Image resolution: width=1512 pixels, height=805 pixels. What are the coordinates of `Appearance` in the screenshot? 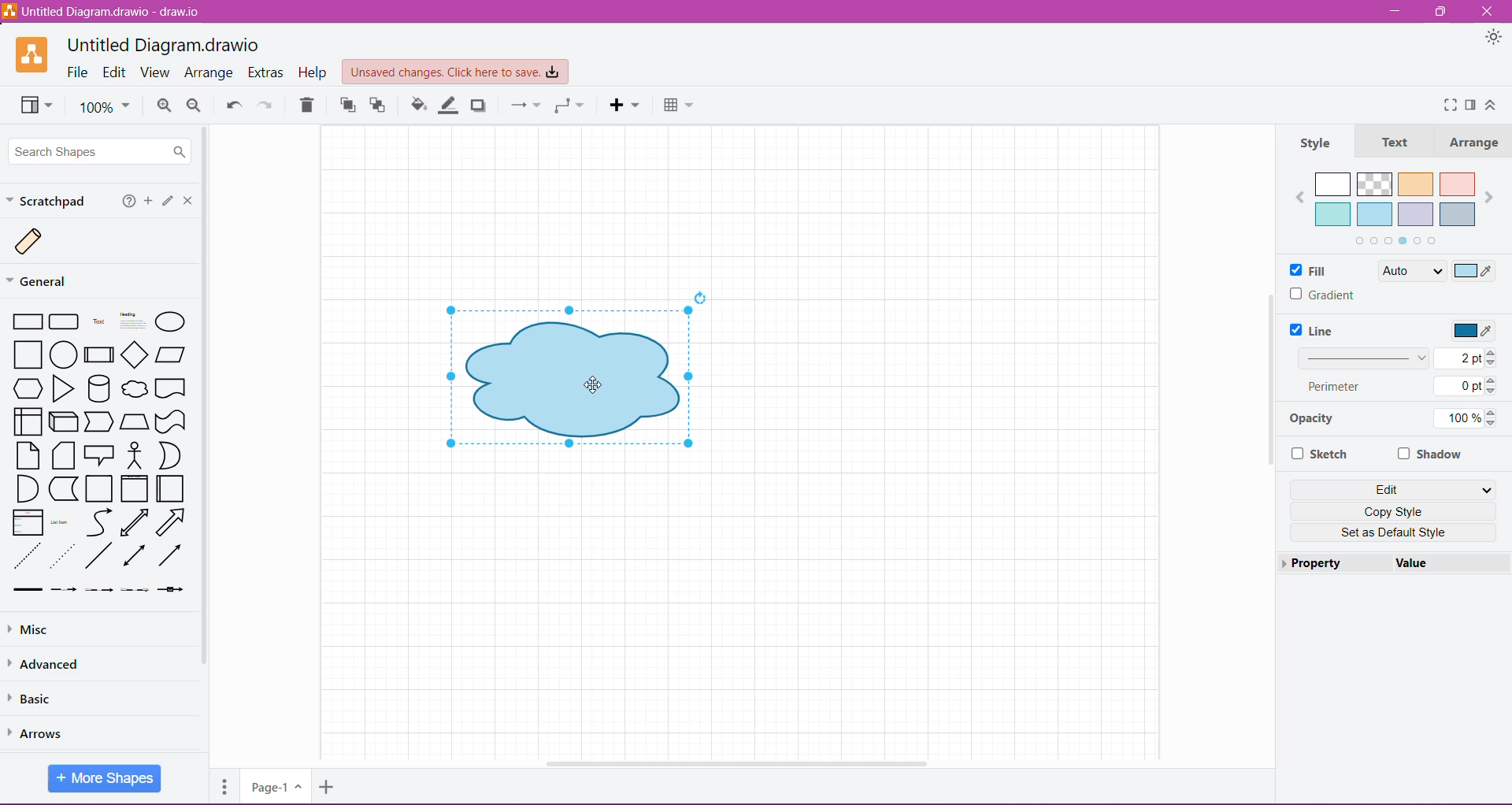 It's located at (1493, 39).